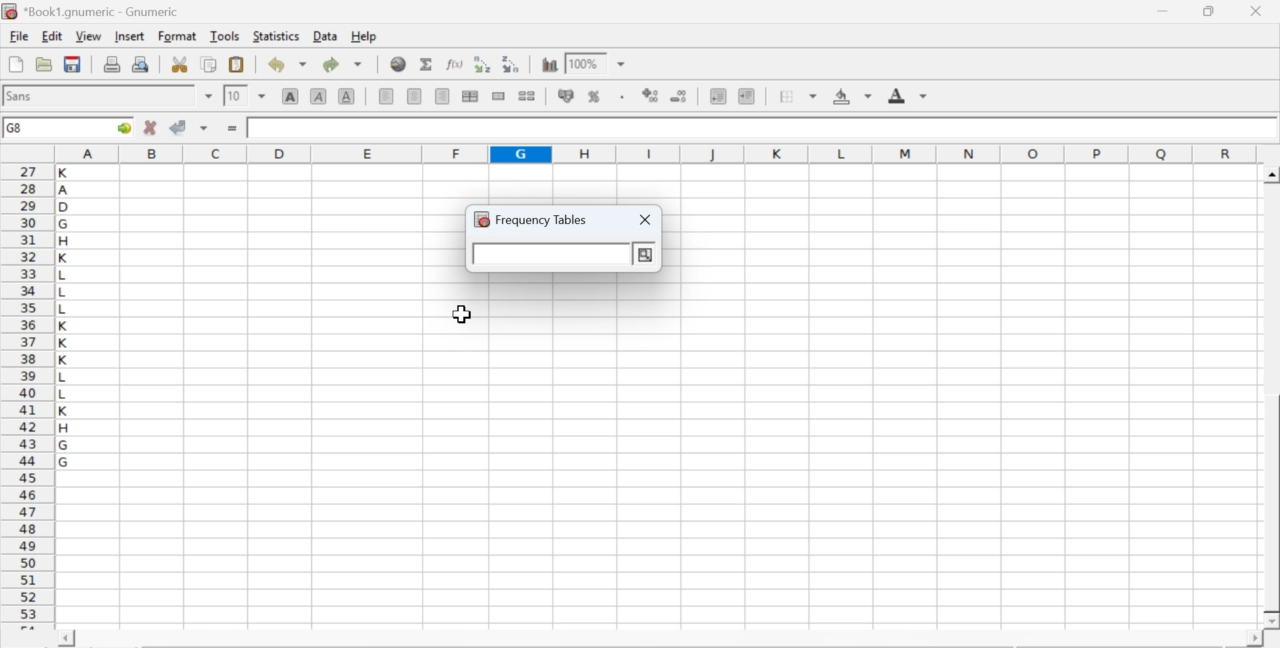 The image size is (1280, 648). I want to click on minimize, so click(1164, 11).